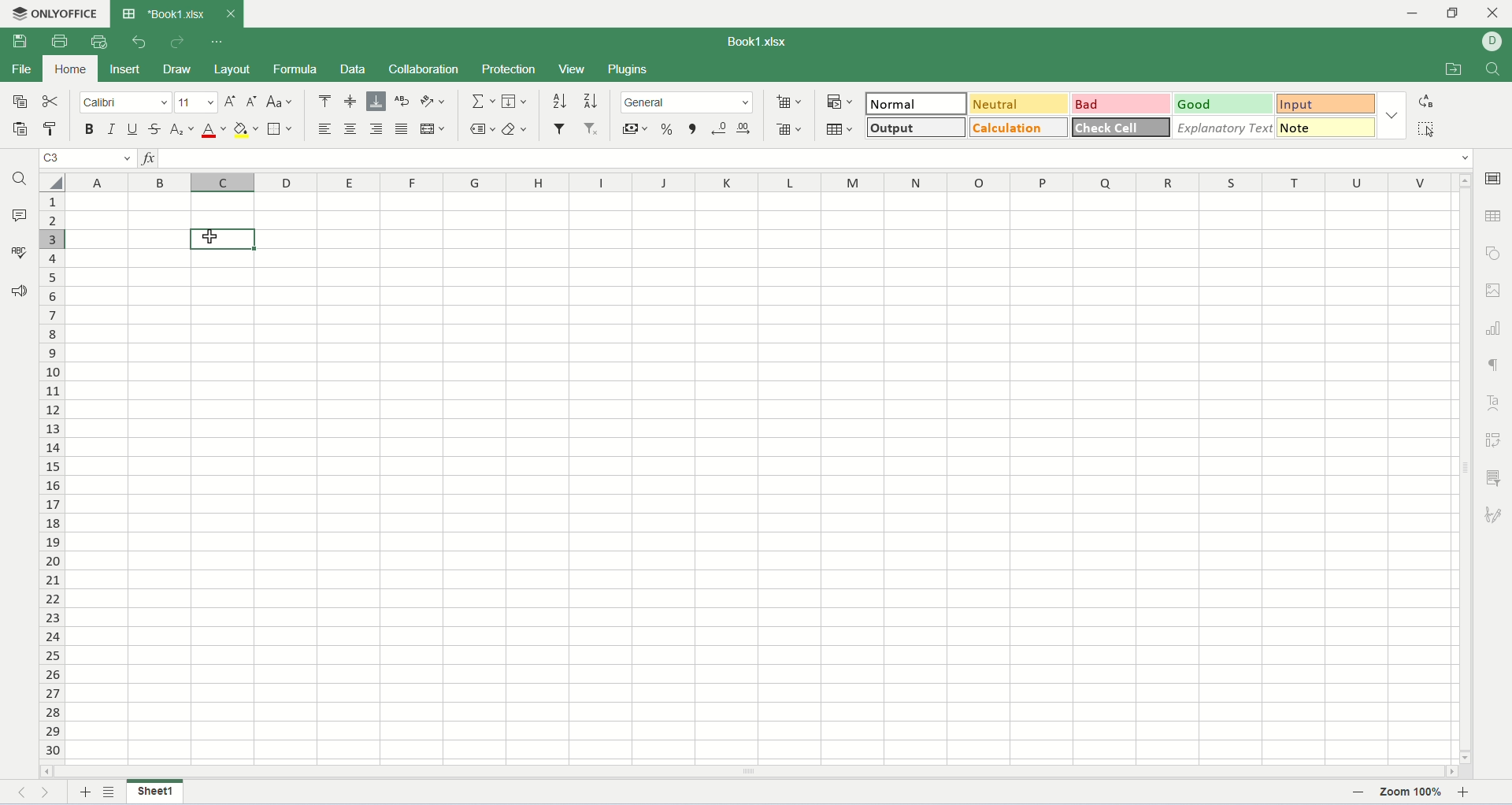 This screenshot has width=1512, height=805. I want to click on object settings, so click(1495, 255).